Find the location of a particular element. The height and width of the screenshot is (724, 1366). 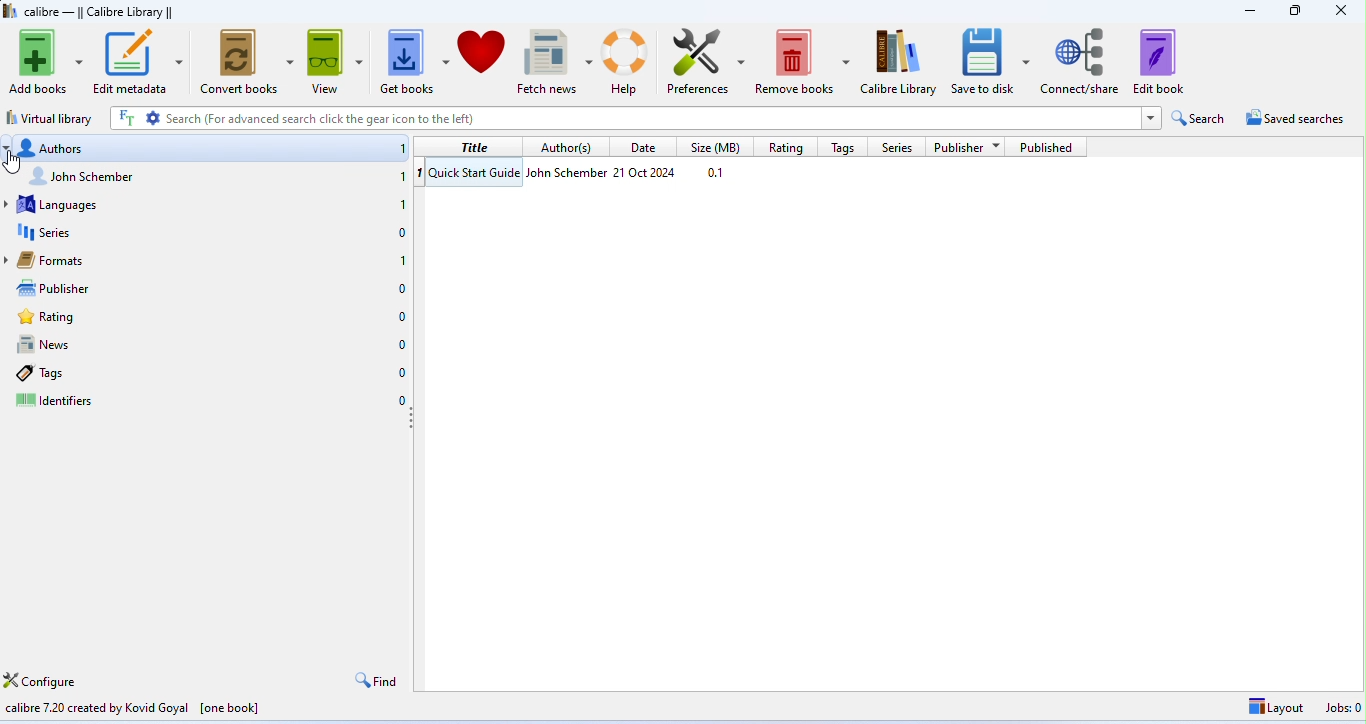

cursor is located at coordinates (14, 162).